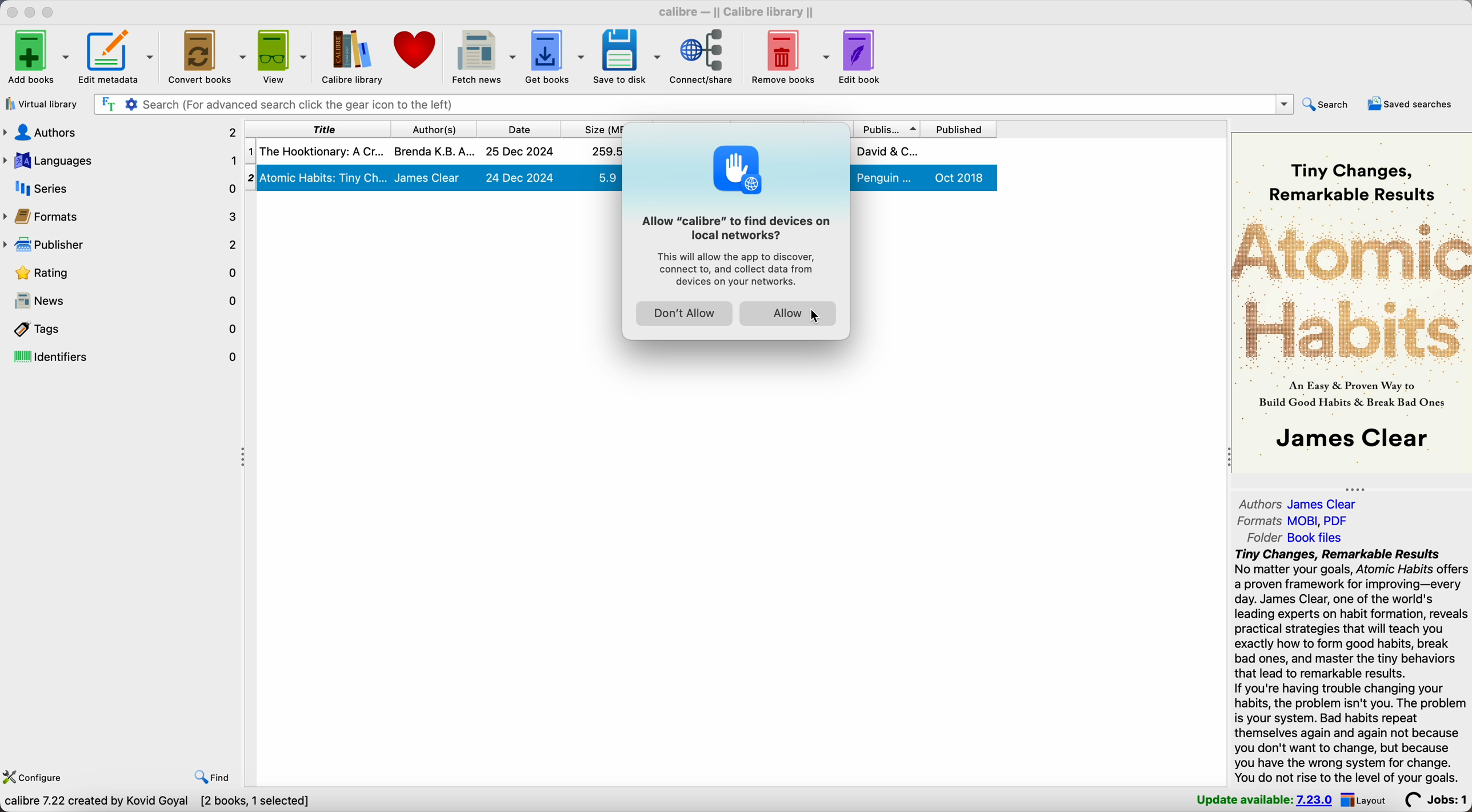 Image resolution: width=1472 pixels, height=812 pixels. Describe the element at coordinates (1433, 799) in the screenshot. I see `Jobs: 0` at that location.